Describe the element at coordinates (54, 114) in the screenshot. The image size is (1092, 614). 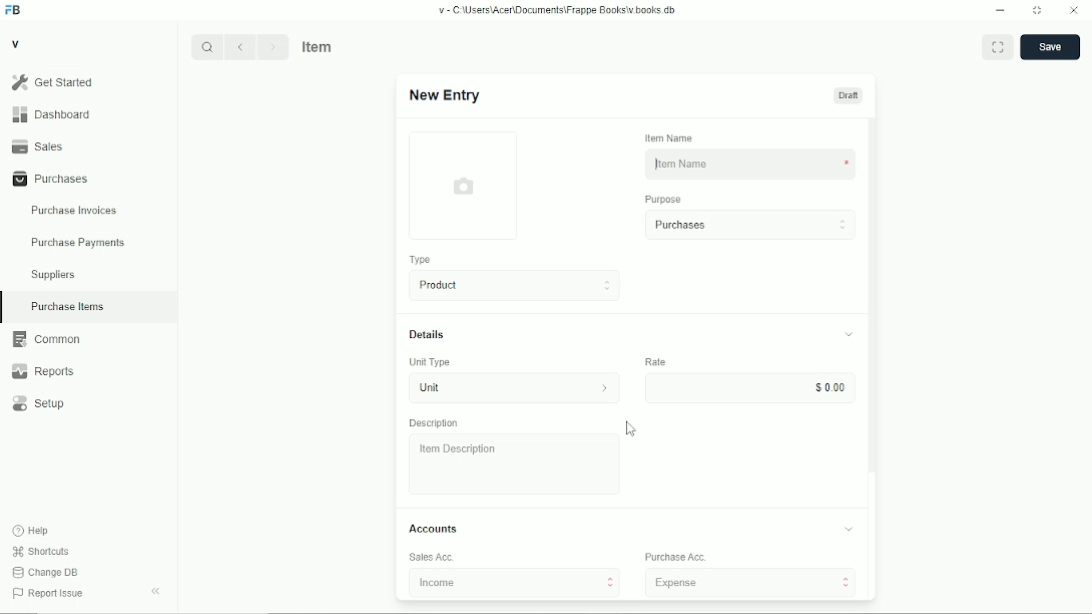
I see `dashboard` at that location.